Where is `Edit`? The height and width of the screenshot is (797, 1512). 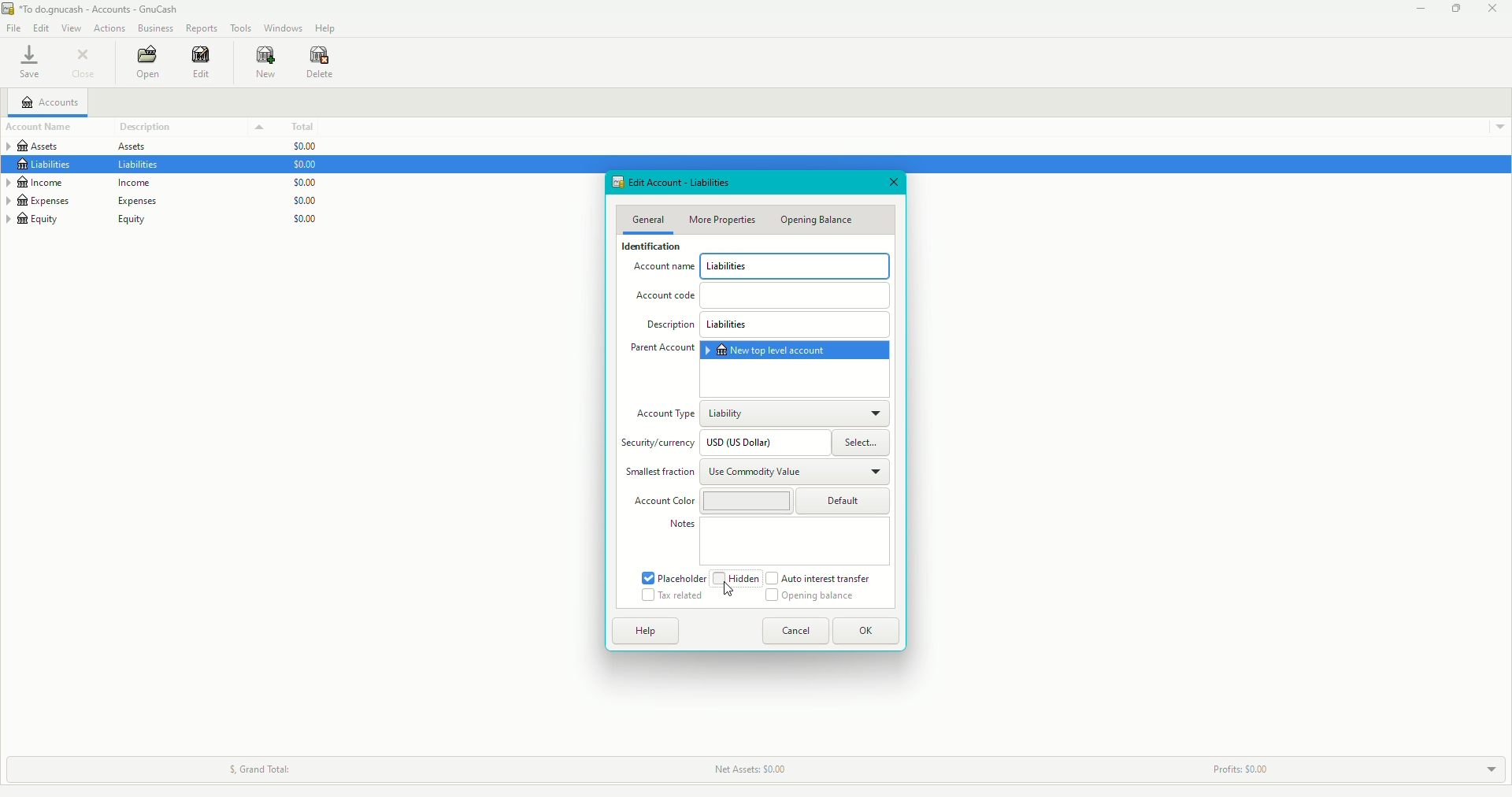 Edit is located at coordinates (39, 27).